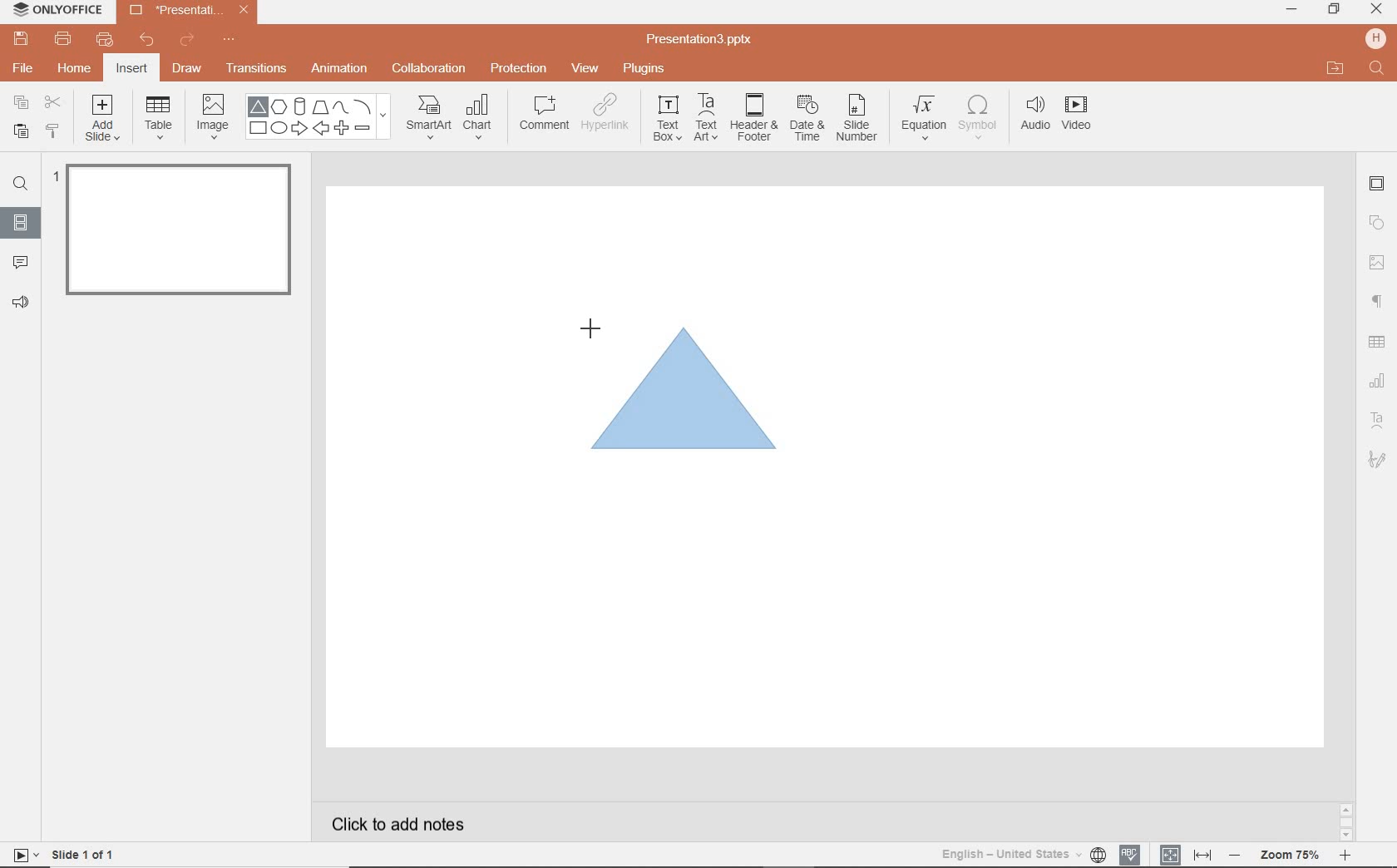  Describe the element at coordinates (229, 40) in the screenshot. I see `CUSTOMIZE QUICK ACCESS TOOLBAR` at that location.